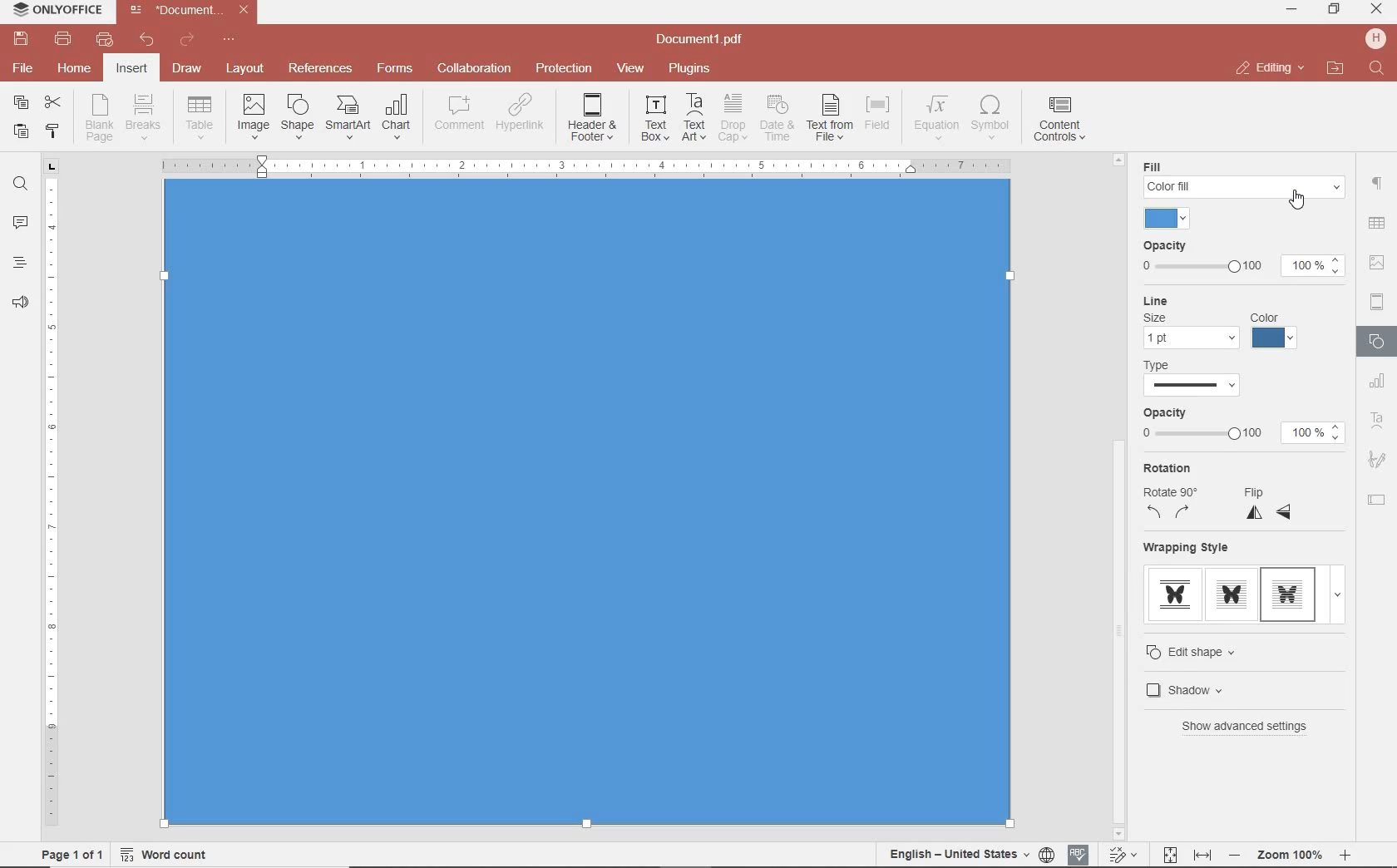 The width and height of the screenshot is (1397, 868). What do you see at coordinates (461, 113) in the screenshot?
I see `COMMENT` at bounding box center [461, 113].